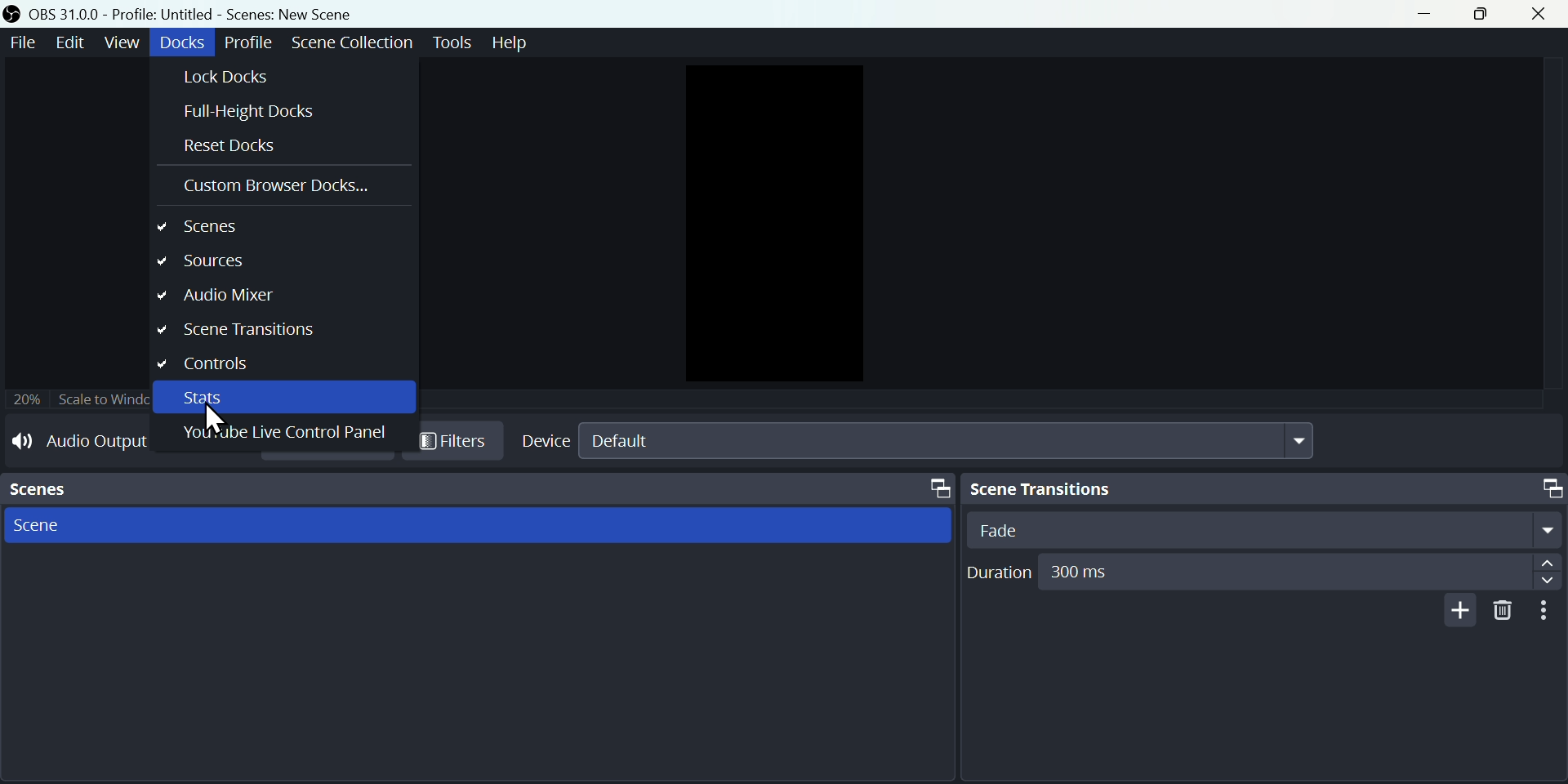  Describe the element at coordinates (256, 295) in the screenshot. I see `Audio mixer` at that location.